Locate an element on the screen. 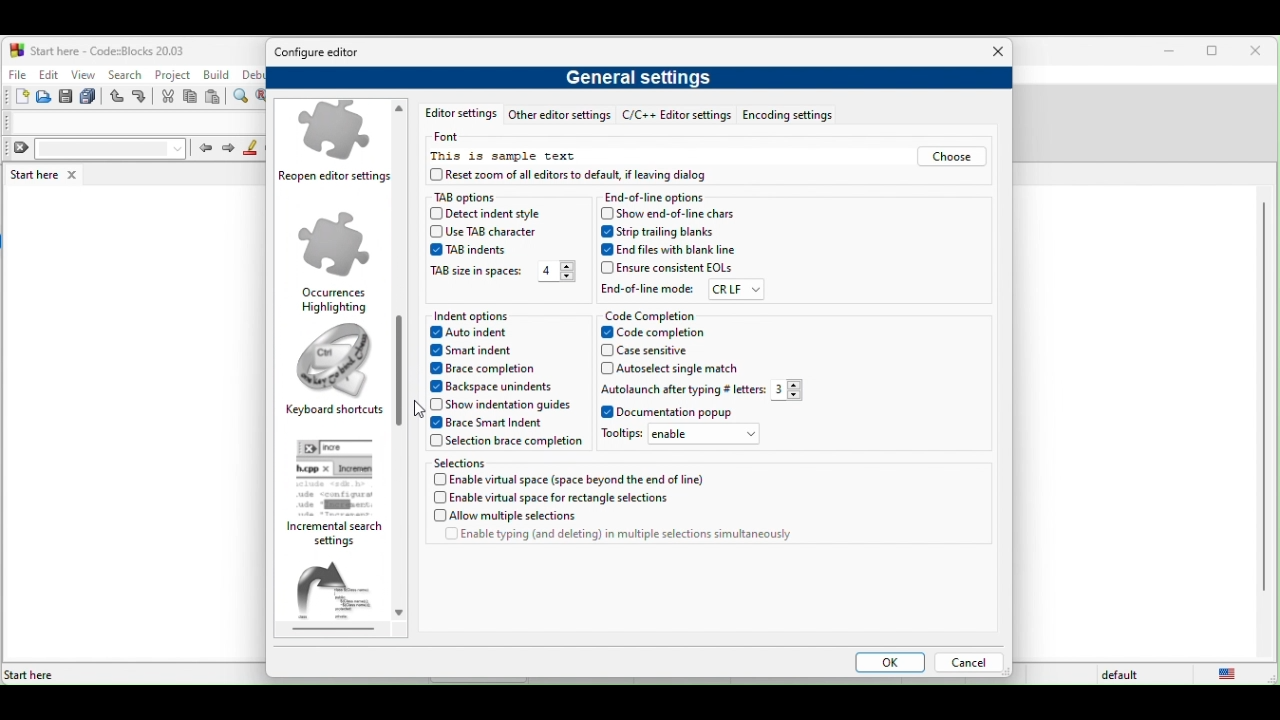 The width and height of the screenshot is (1280, 720). editor setting is located at coordinates (456, 115).